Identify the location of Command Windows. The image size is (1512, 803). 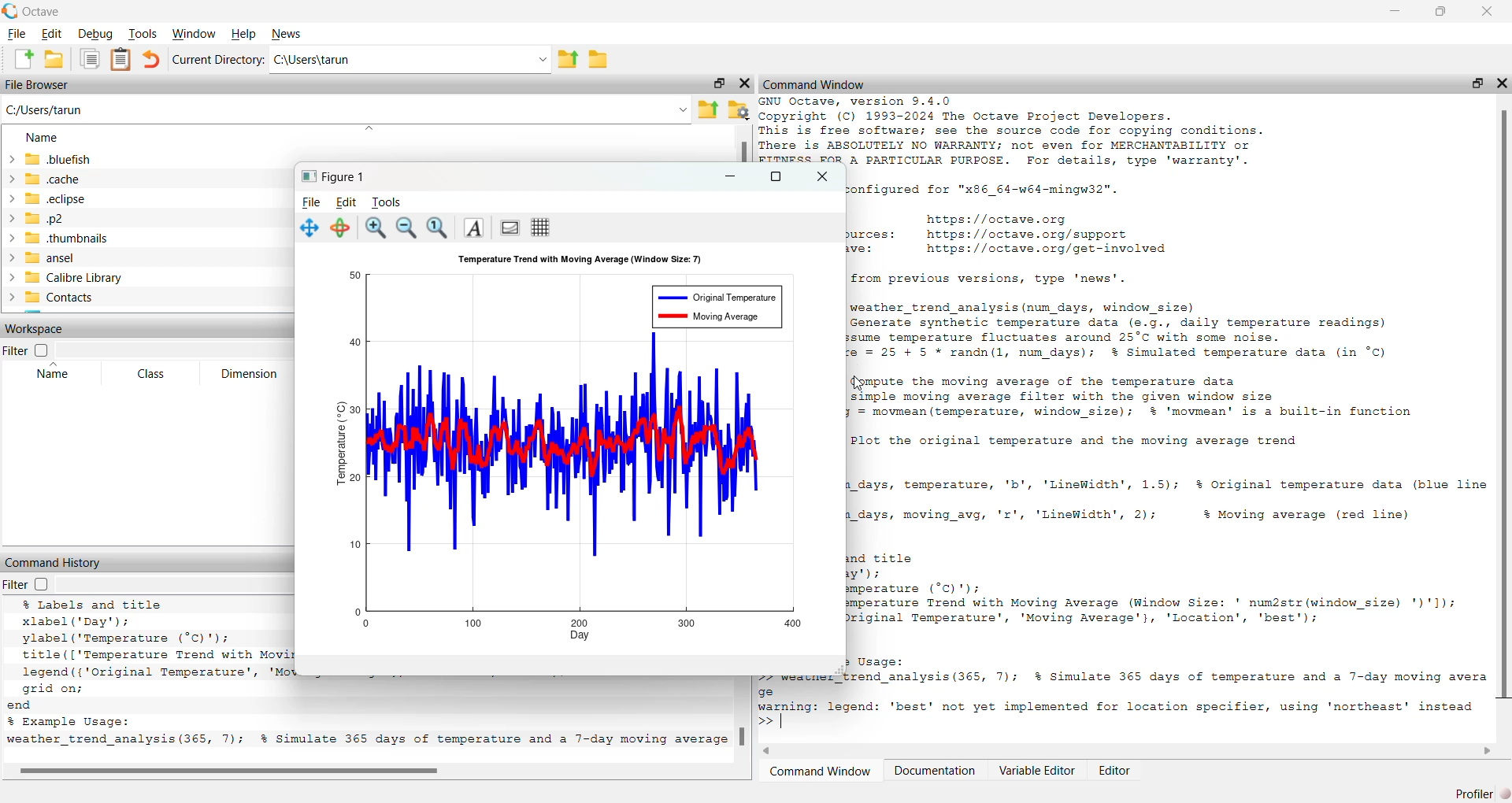
(817, 84).